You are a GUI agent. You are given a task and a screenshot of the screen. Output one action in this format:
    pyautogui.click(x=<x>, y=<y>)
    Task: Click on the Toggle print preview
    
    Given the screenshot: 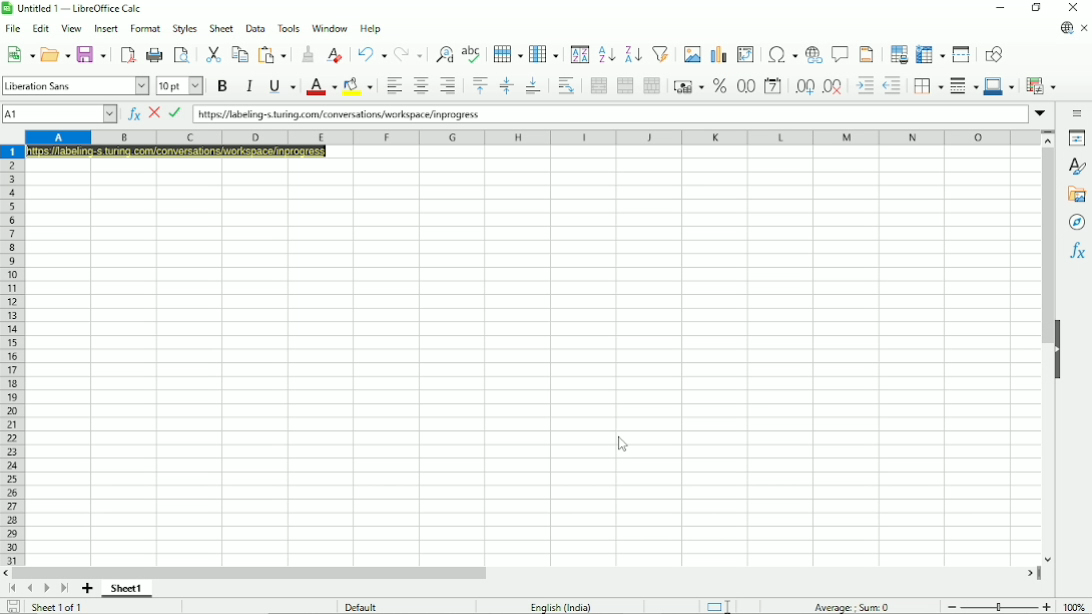 What is the action you would take?
    pyautogui.click(x=183, y=56)
    